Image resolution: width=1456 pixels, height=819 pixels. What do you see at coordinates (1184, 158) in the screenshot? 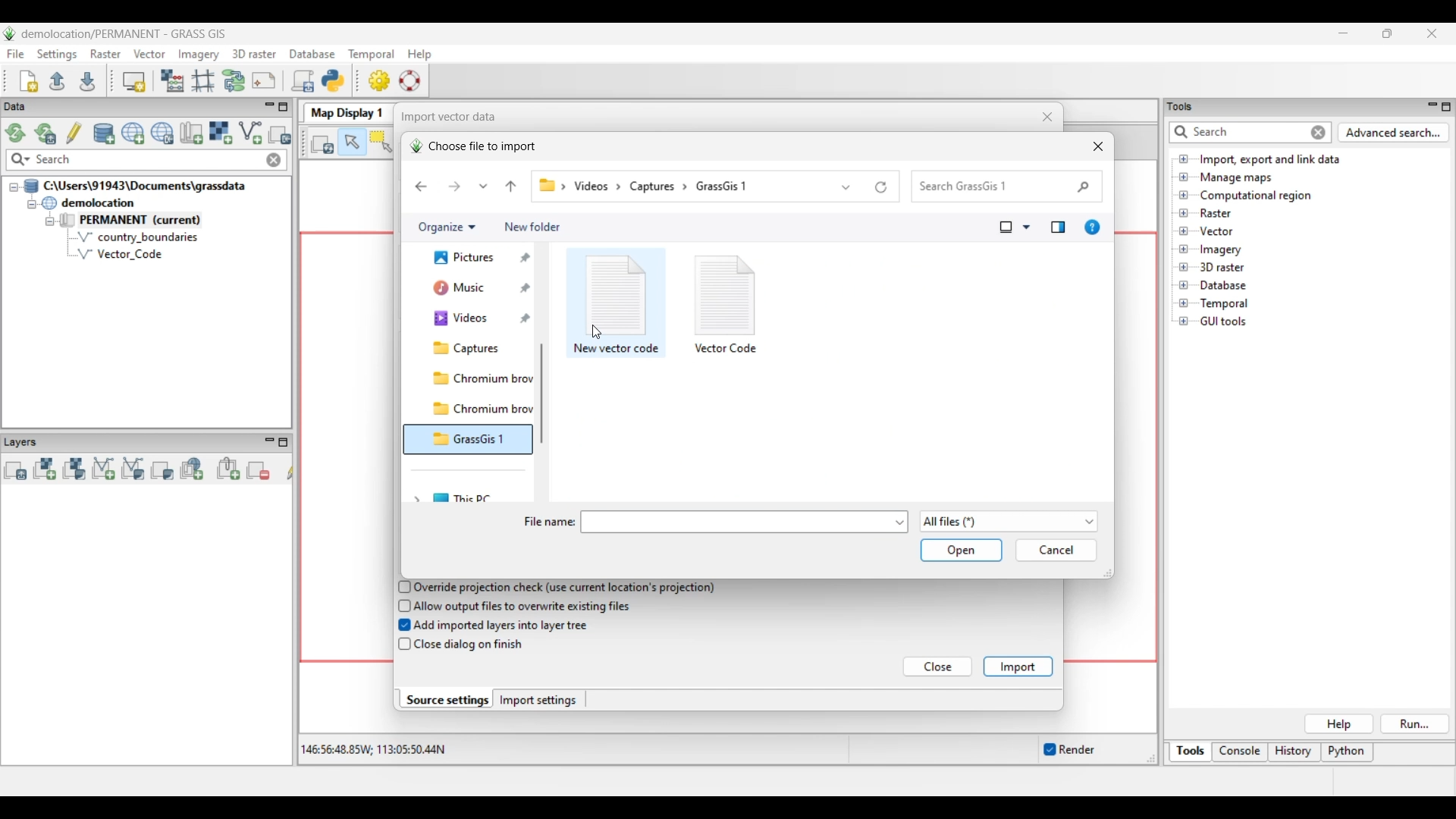
I see `Click to open files under Import, export and link data` at bounding box center [1184, 158].